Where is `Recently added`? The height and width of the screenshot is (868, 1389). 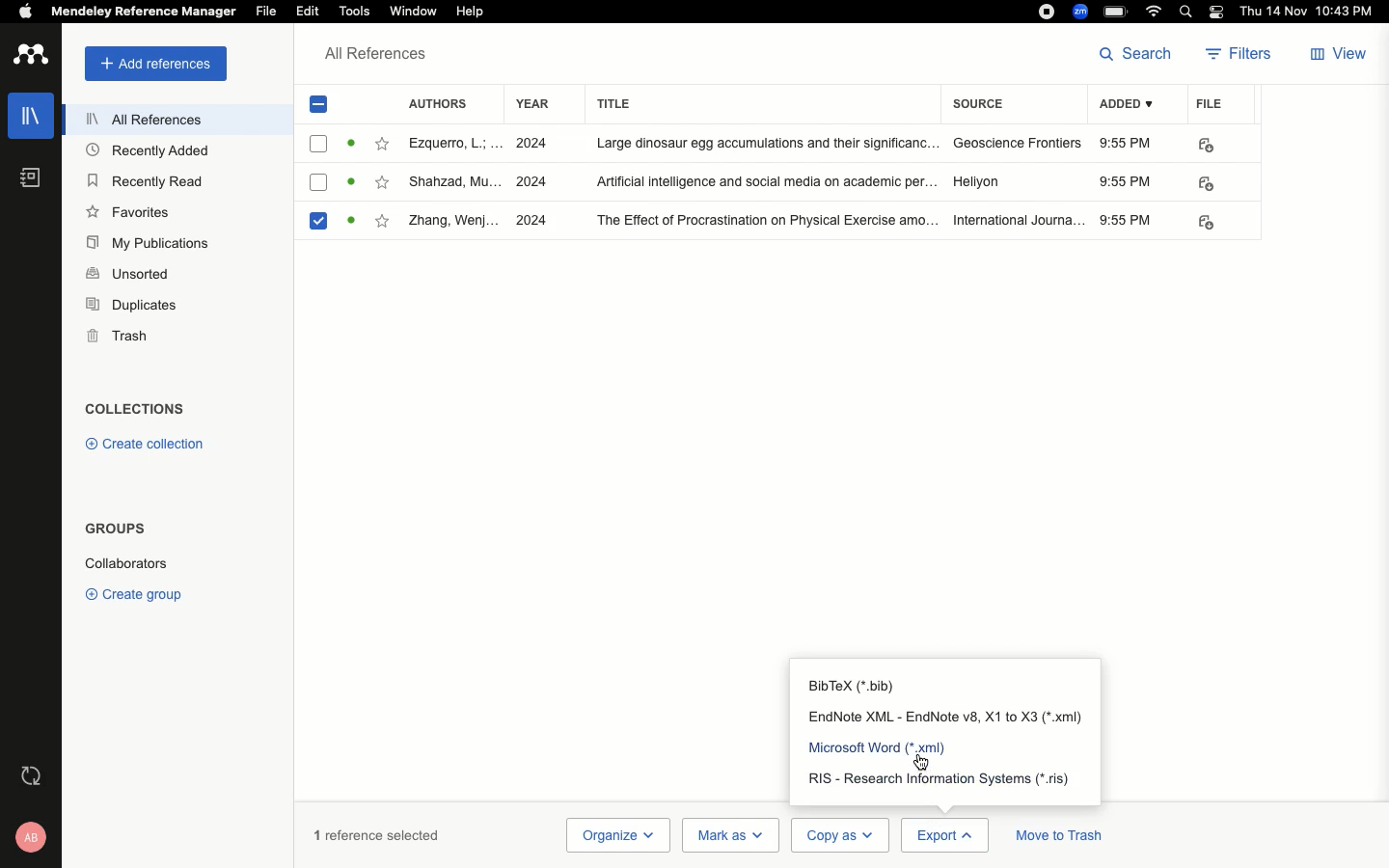
Recently added is located at coordinates (155, 151).